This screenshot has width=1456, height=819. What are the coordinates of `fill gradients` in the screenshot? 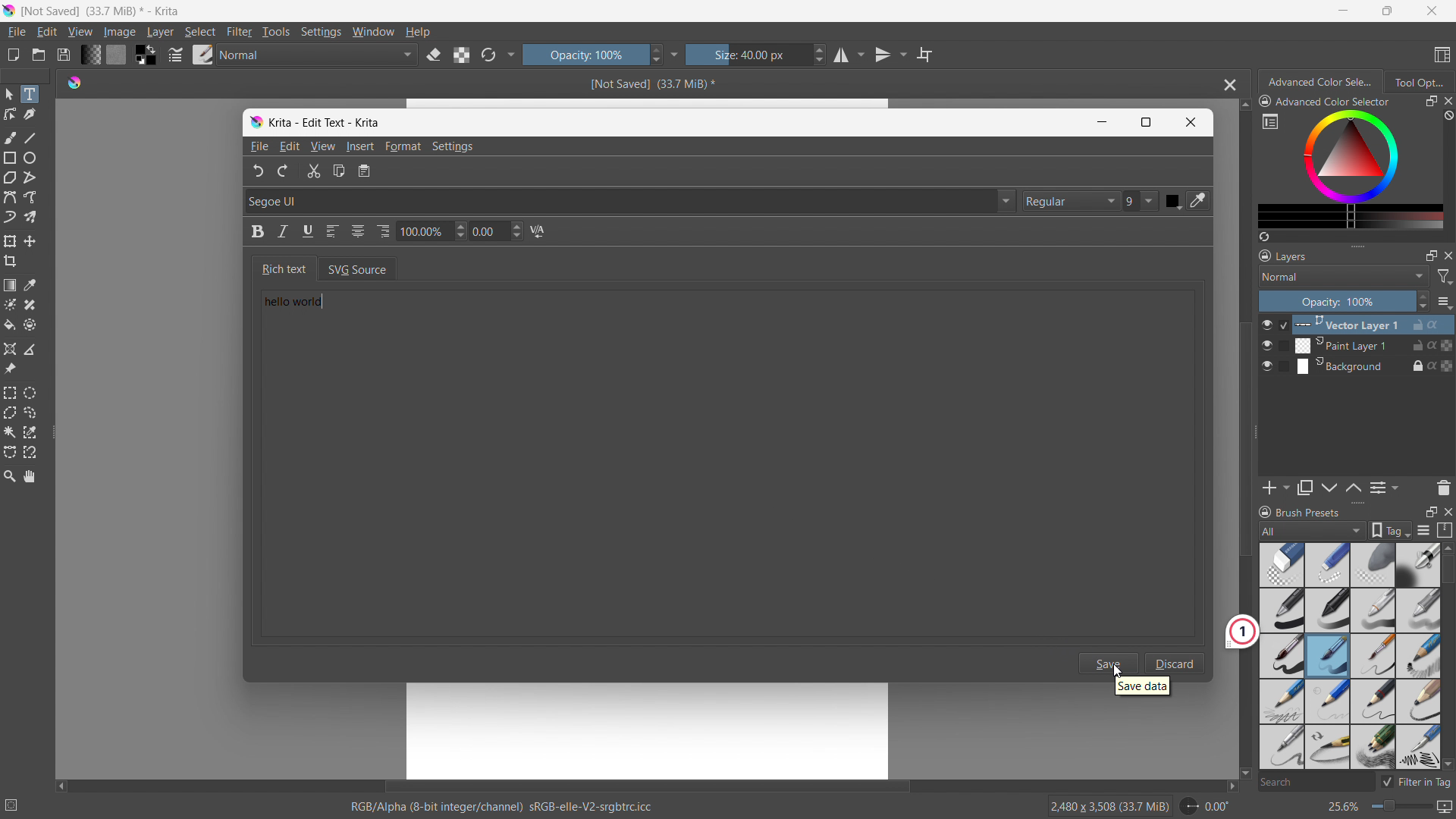 It's located at (90, 54).